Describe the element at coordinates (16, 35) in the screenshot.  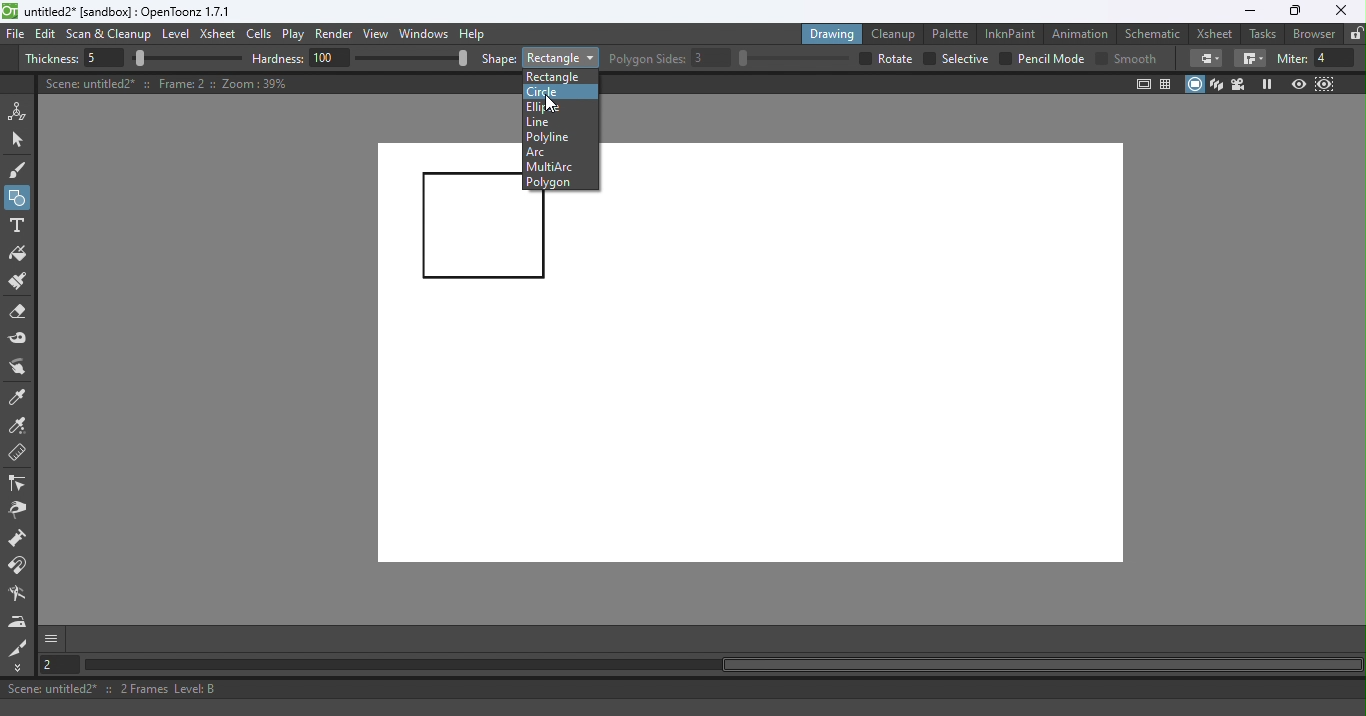
I see `File` at that location.